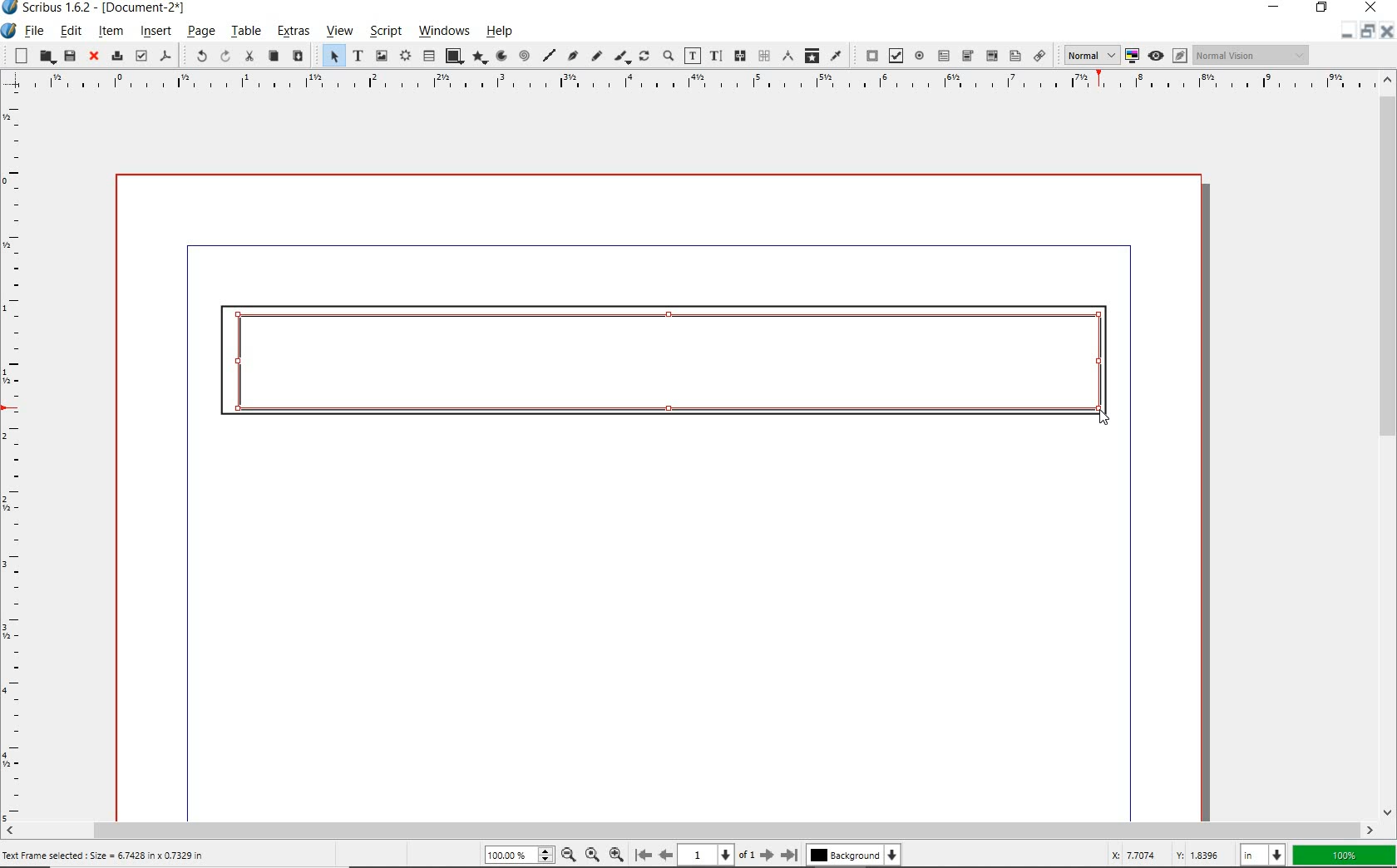 The height and width of the screenshot is (868, 1397). Describe the element at coordinates (550, 55) in the screenshot. I see `line` at that location.